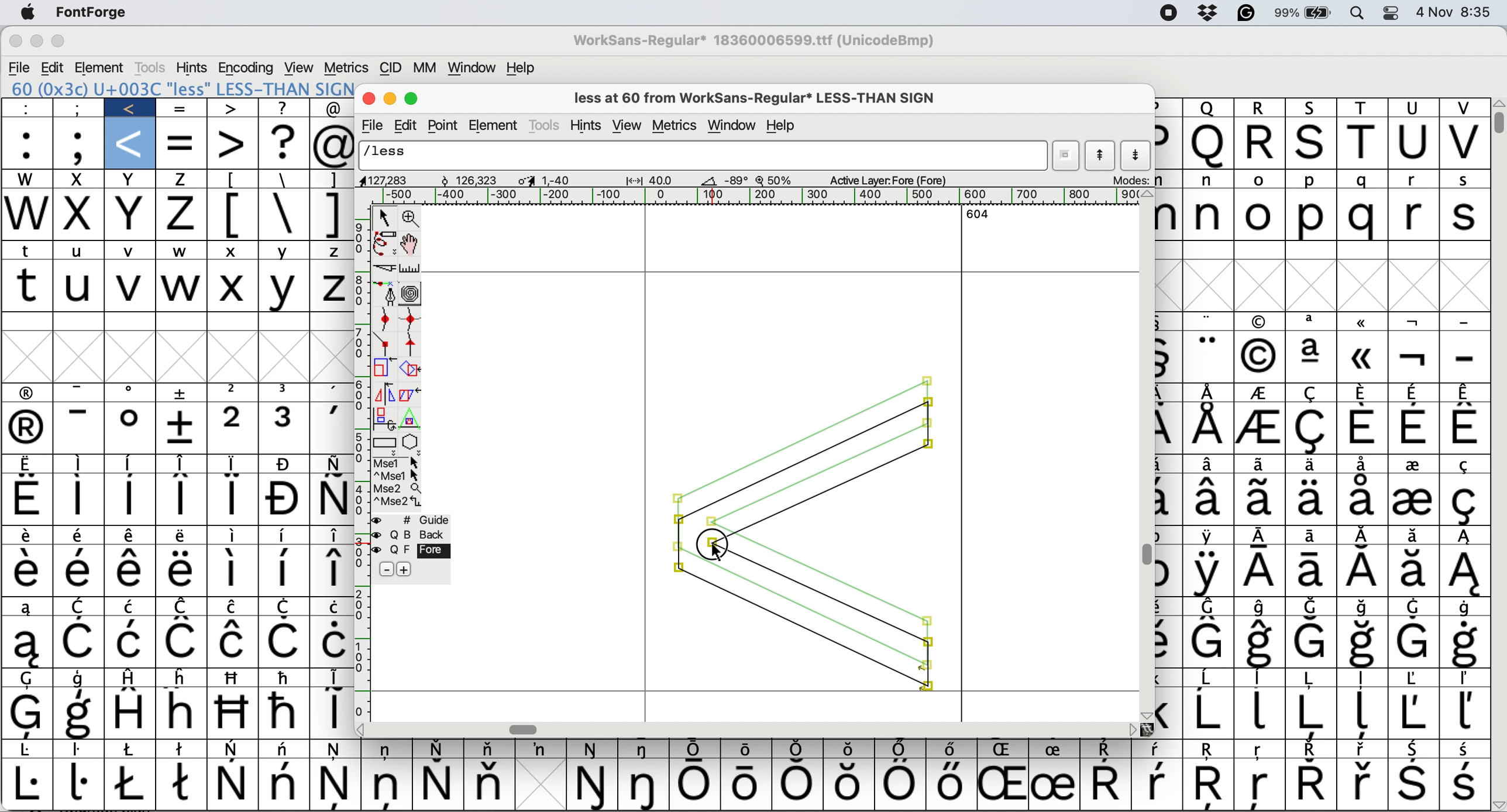  What do you see at coordinates (627, 124) in the screenshot?
I see `view` at bounding box center [627, 124].